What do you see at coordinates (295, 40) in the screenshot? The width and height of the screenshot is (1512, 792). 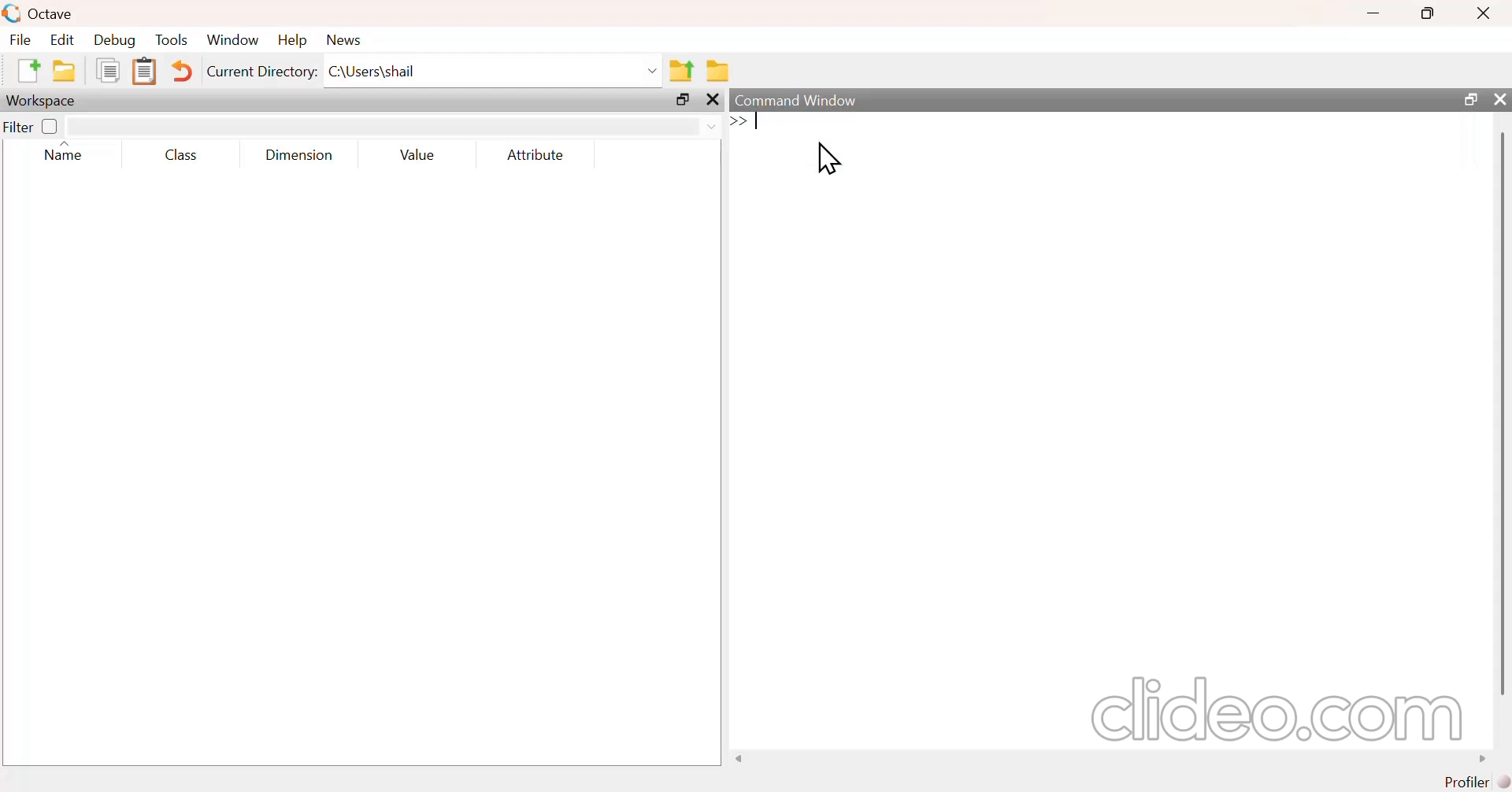 I see `help` at bounding box center [295, 40].